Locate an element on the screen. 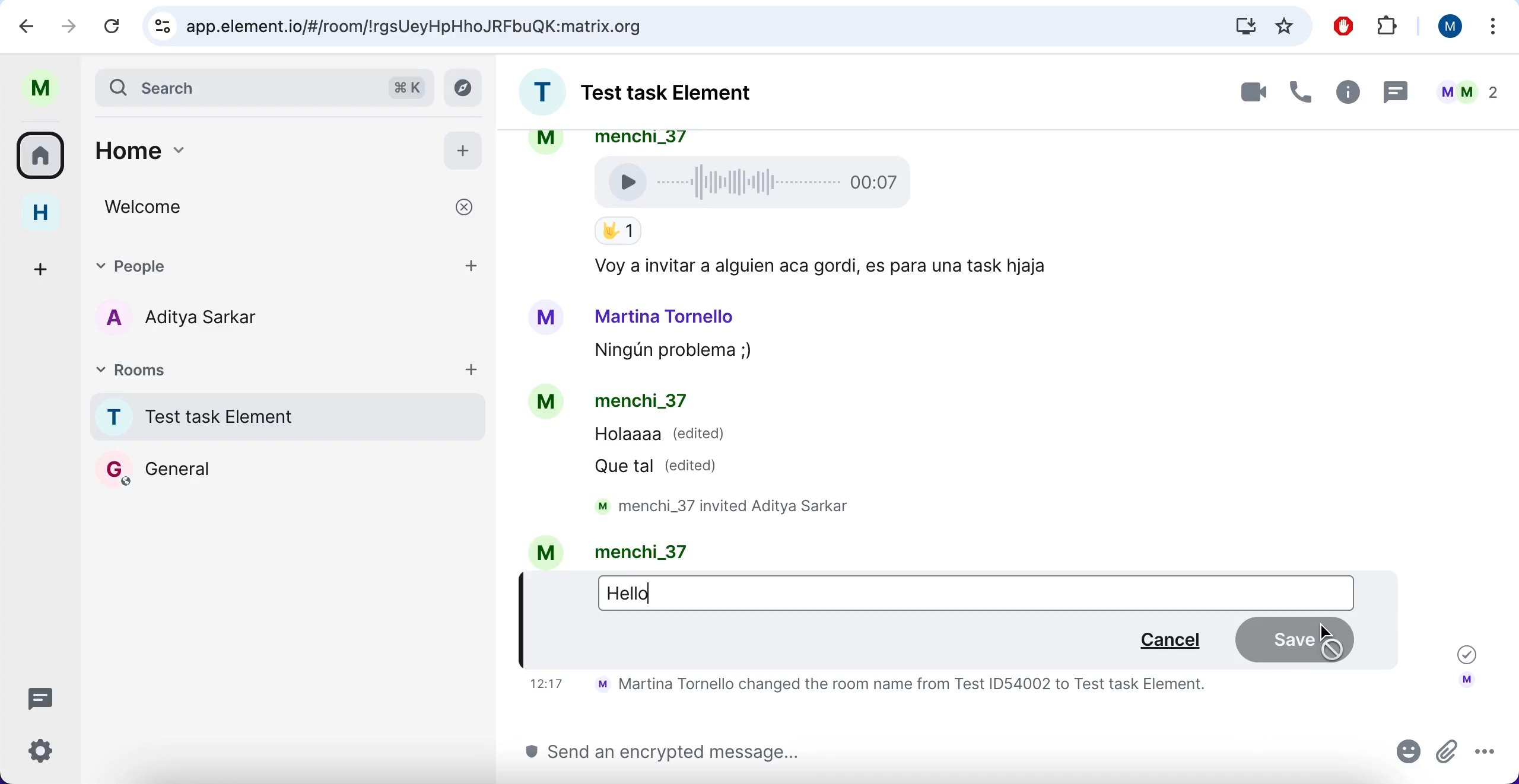 This screenshot has width=1519, height=784. favorites is located at coordinates (1286, 25).